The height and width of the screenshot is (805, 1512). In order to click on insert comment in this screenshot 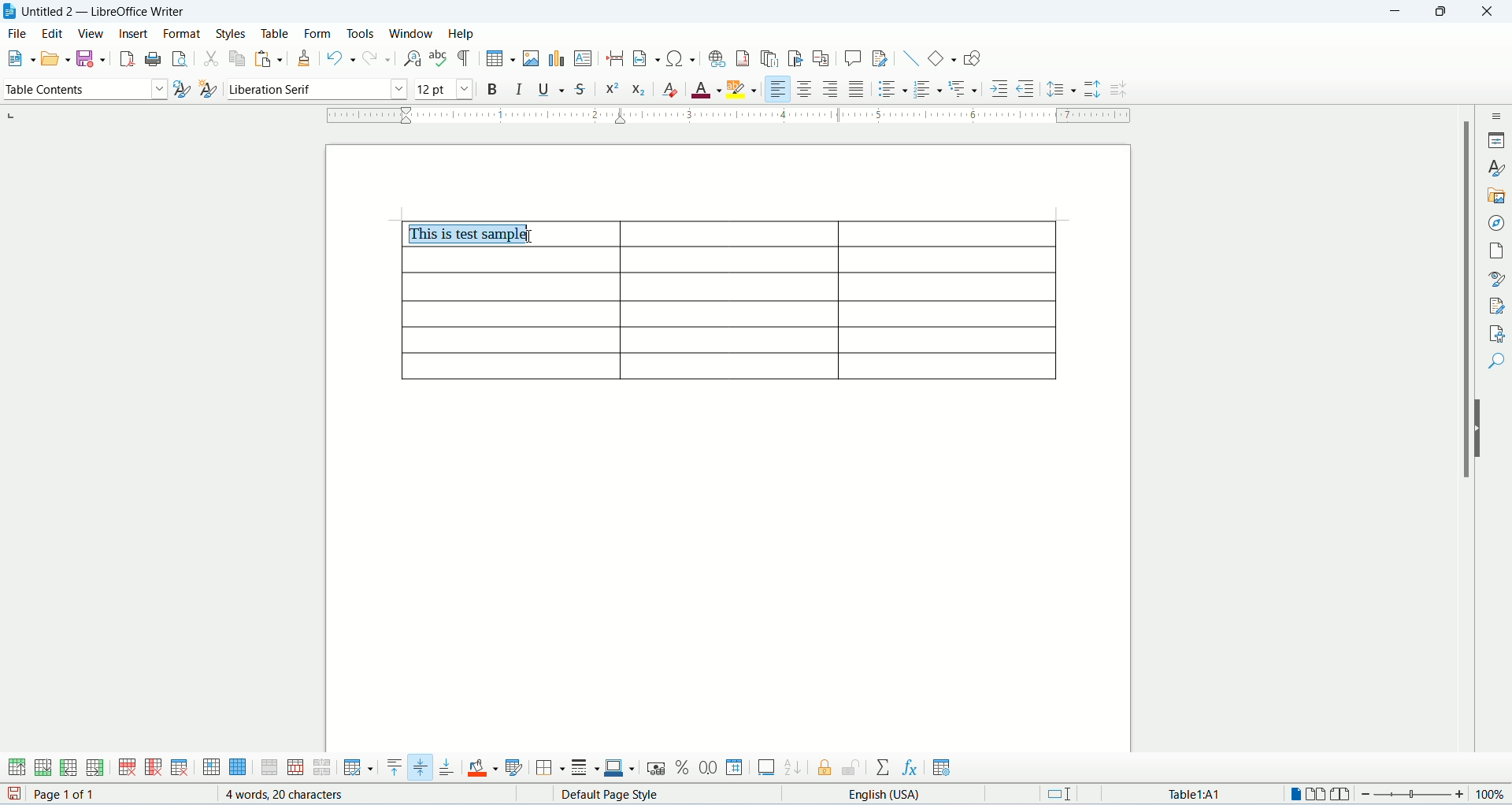, I will do `click(851, 60)`.